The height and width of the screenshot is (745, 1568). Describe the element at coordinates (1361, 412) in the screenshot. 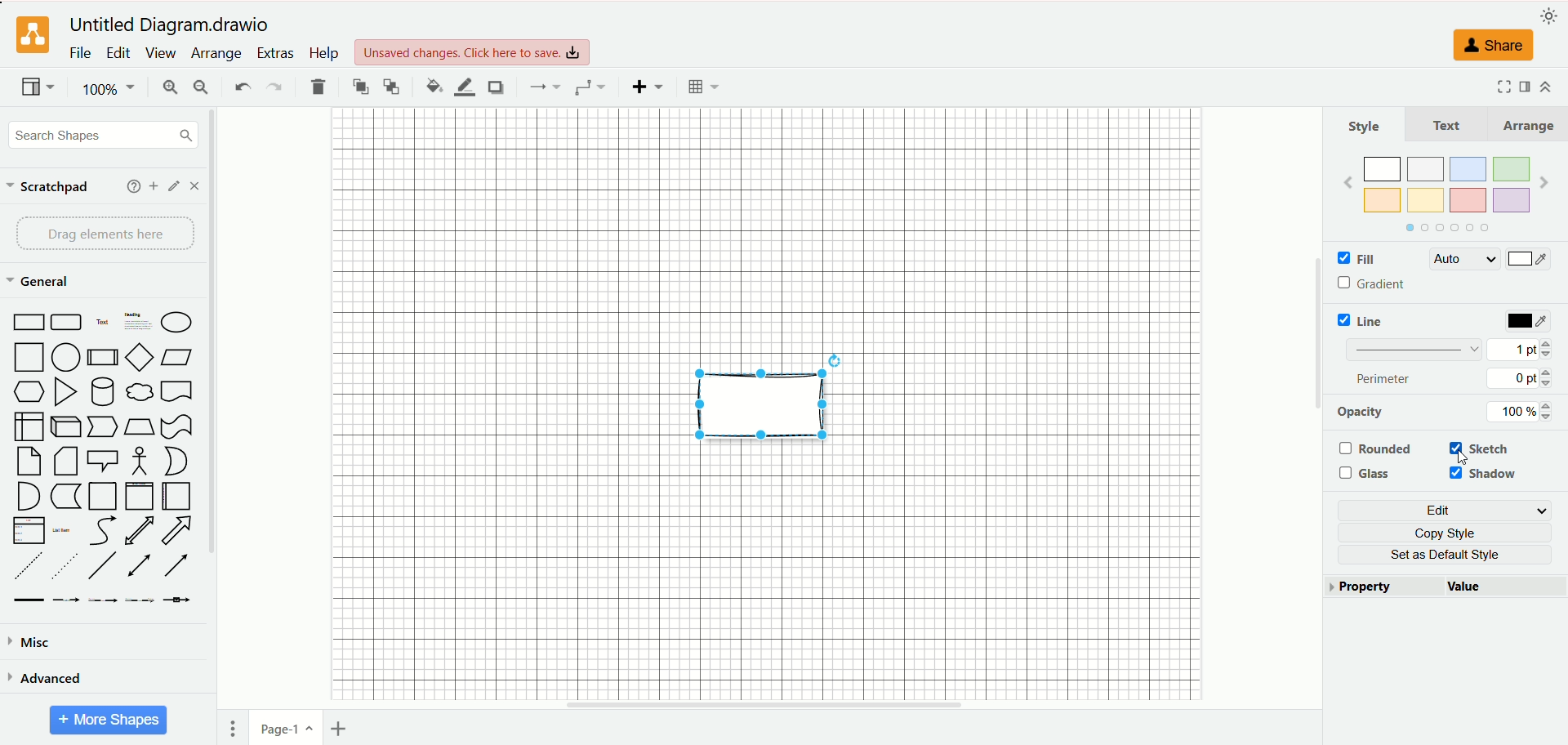

I see `opacity` at that location.